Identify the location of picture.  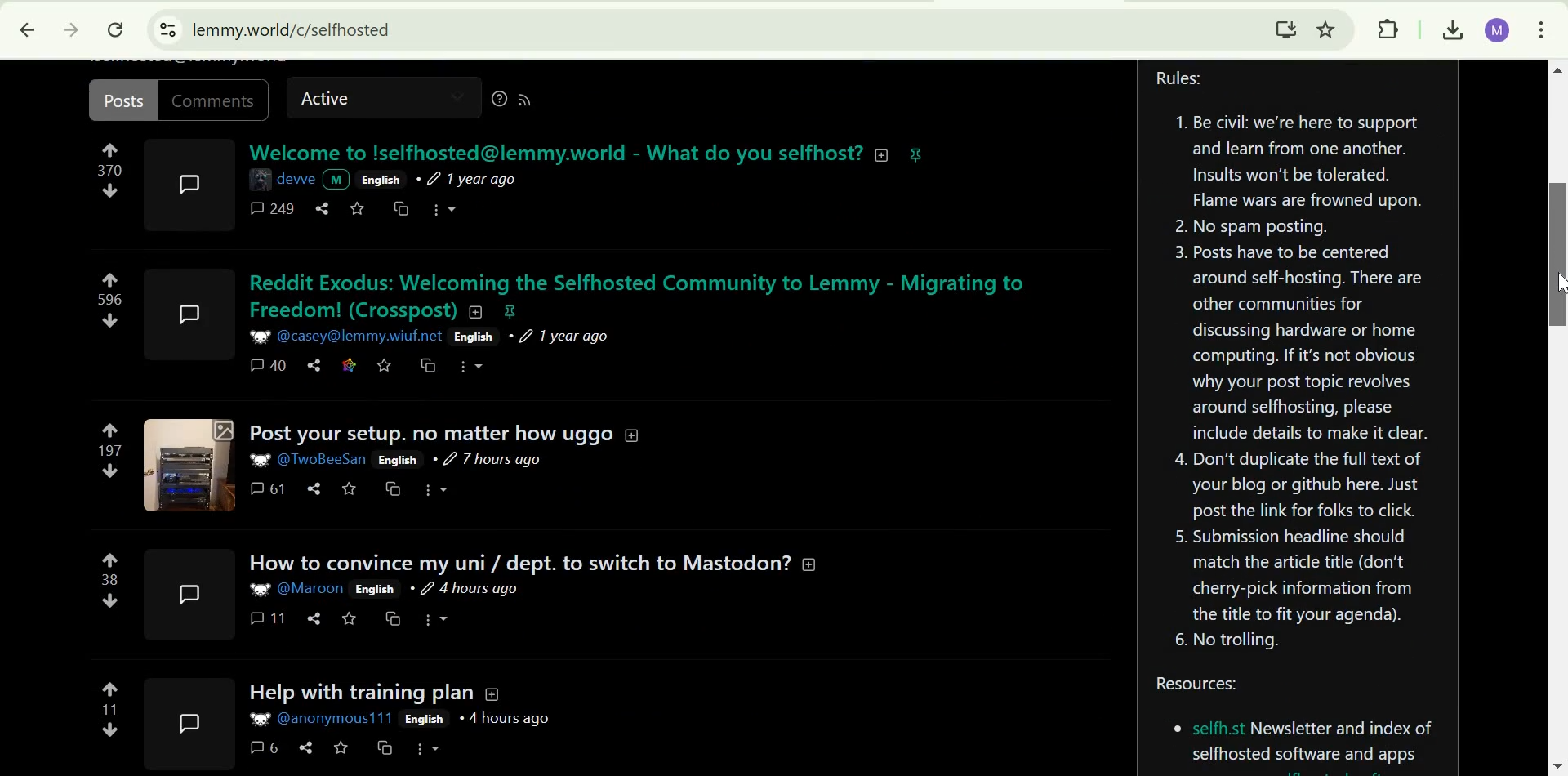
(337, 180).